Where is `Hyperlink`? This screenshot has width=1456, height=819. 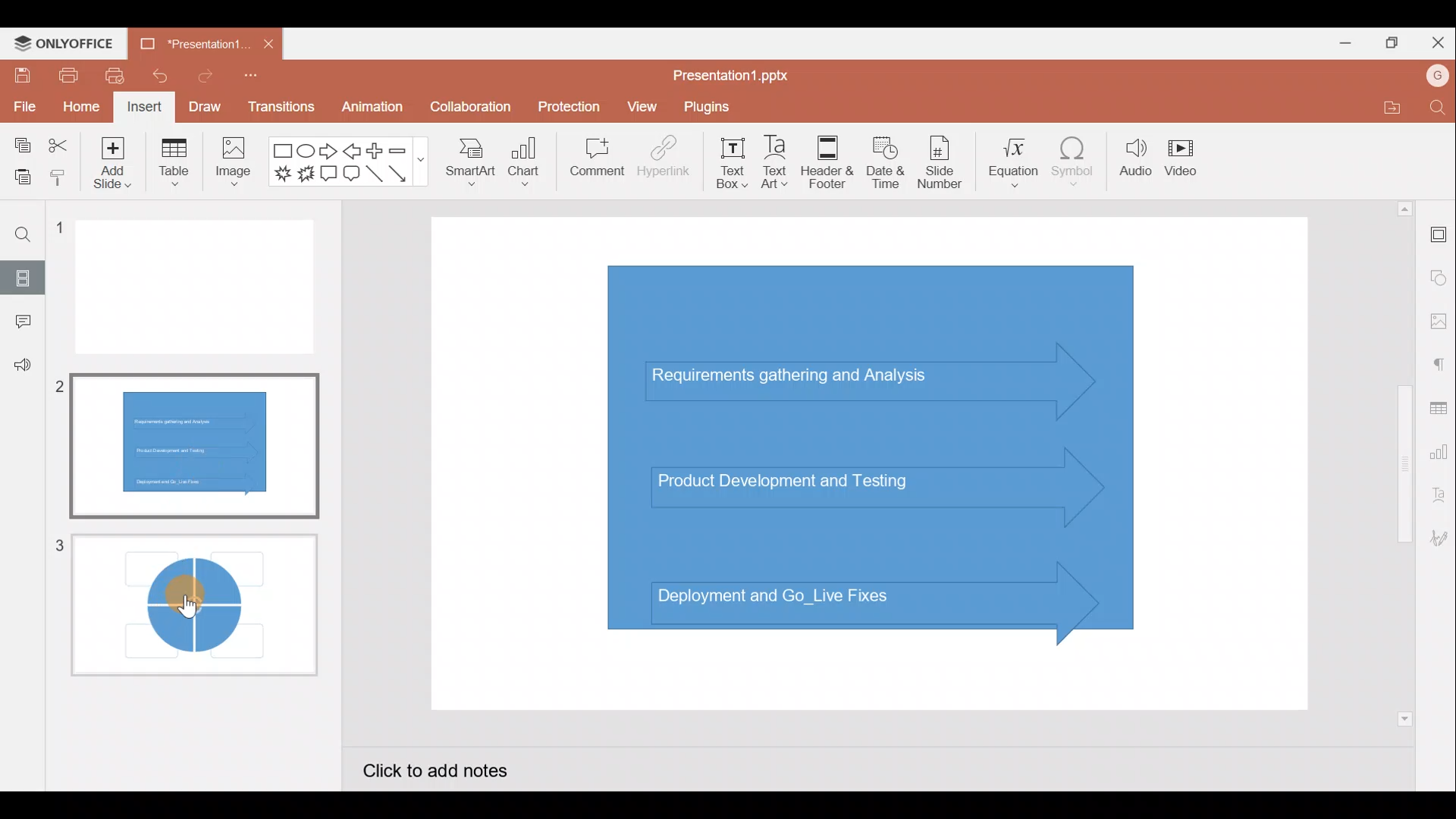 Hyperlink is located at coordinates (664, 162).